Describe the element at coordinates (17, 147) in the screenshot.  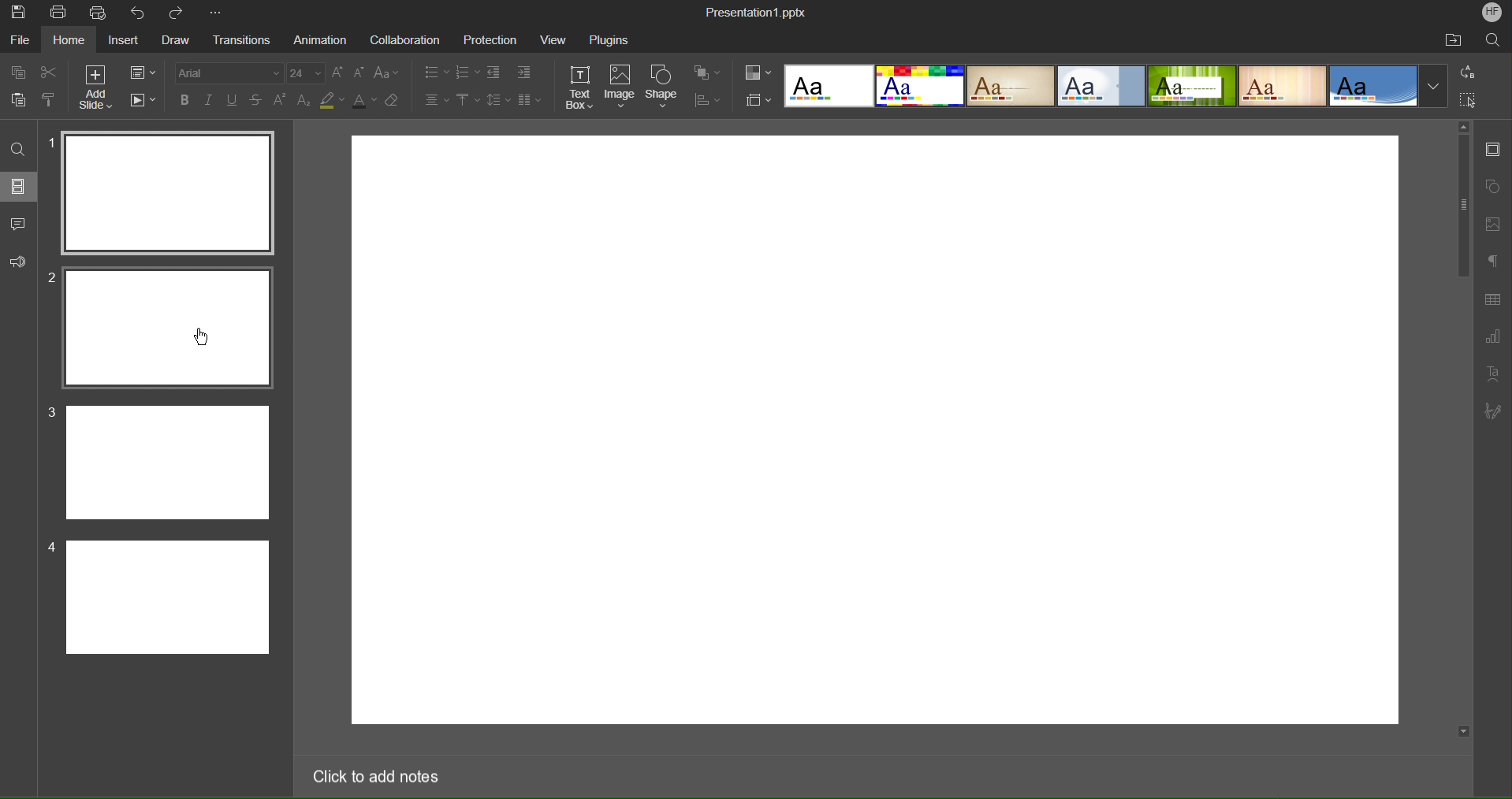
I see `Search` at that location.